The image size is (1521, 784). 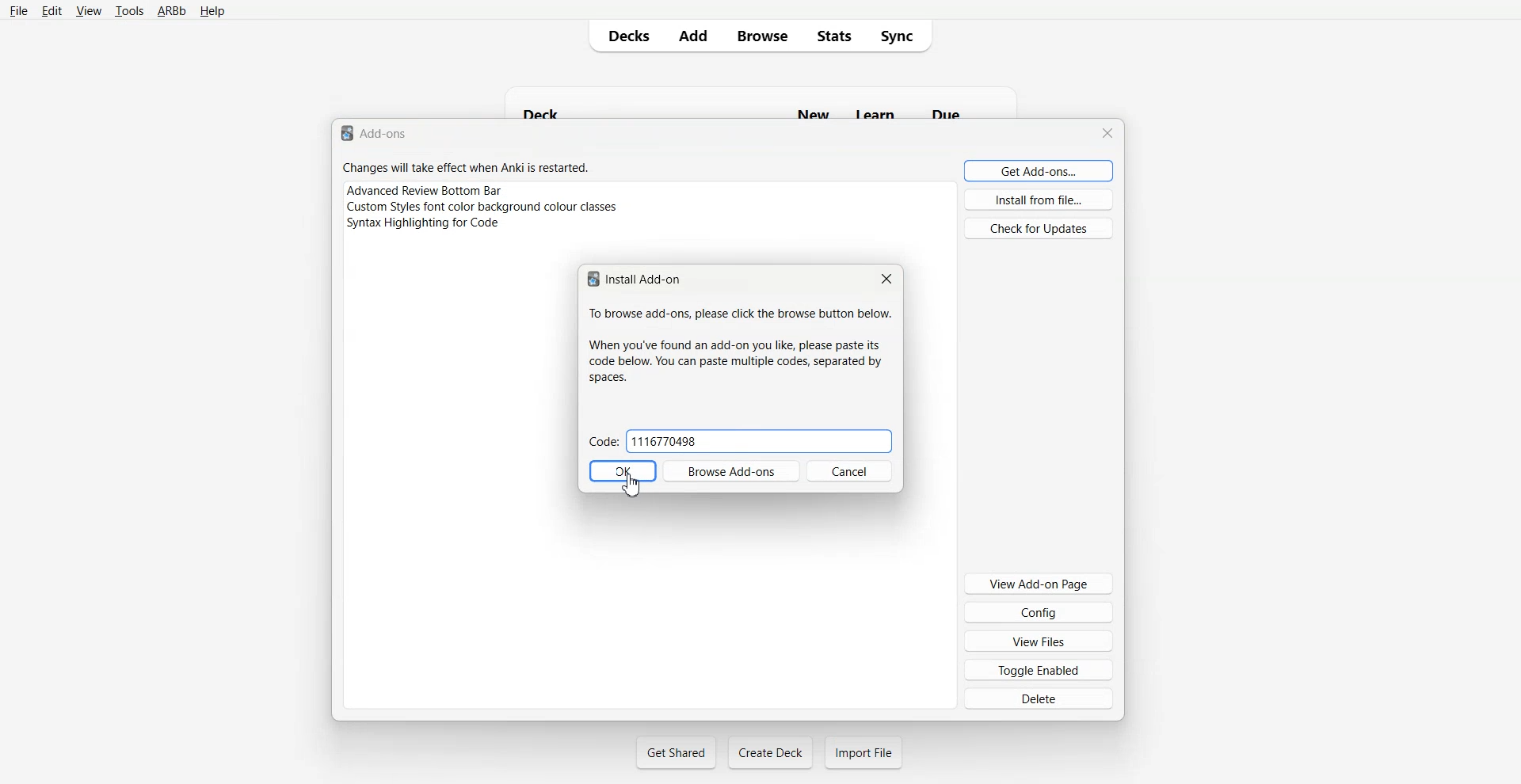 What do you see at coordinates (851, 470) in the screenshot?
I see `Cancel` at bounding box center [851, 470].